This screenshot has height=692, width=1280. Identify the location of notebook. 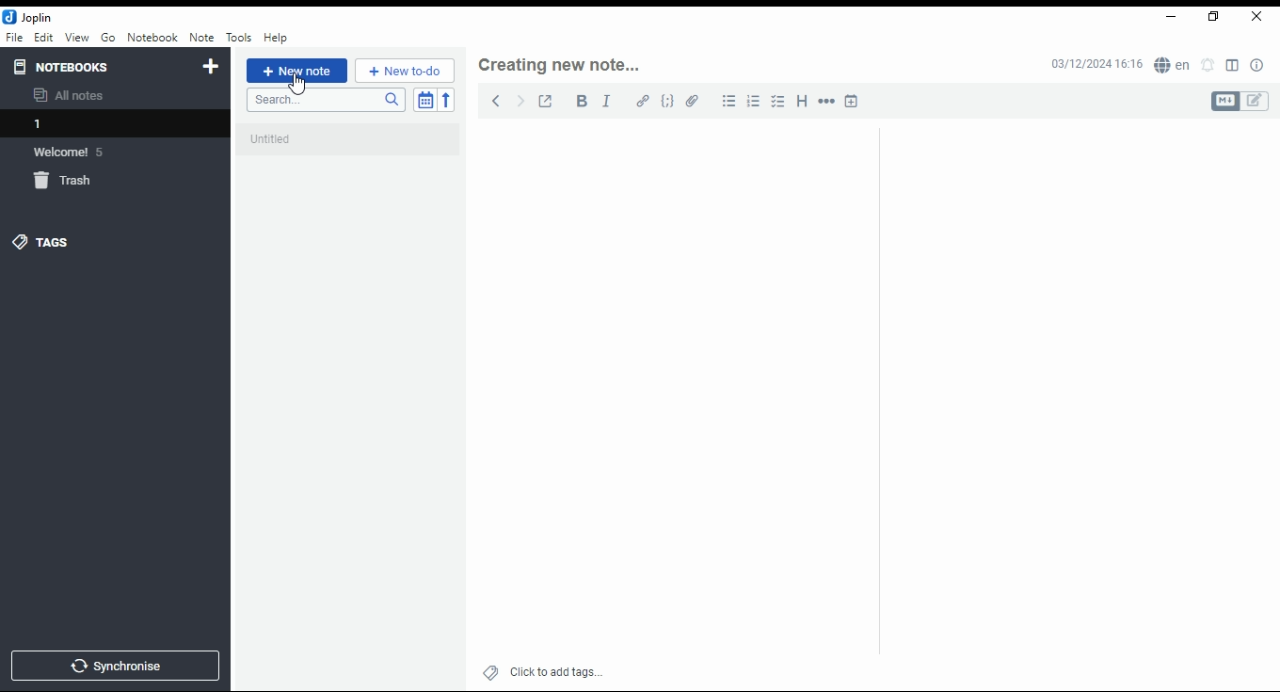
(152, 37).